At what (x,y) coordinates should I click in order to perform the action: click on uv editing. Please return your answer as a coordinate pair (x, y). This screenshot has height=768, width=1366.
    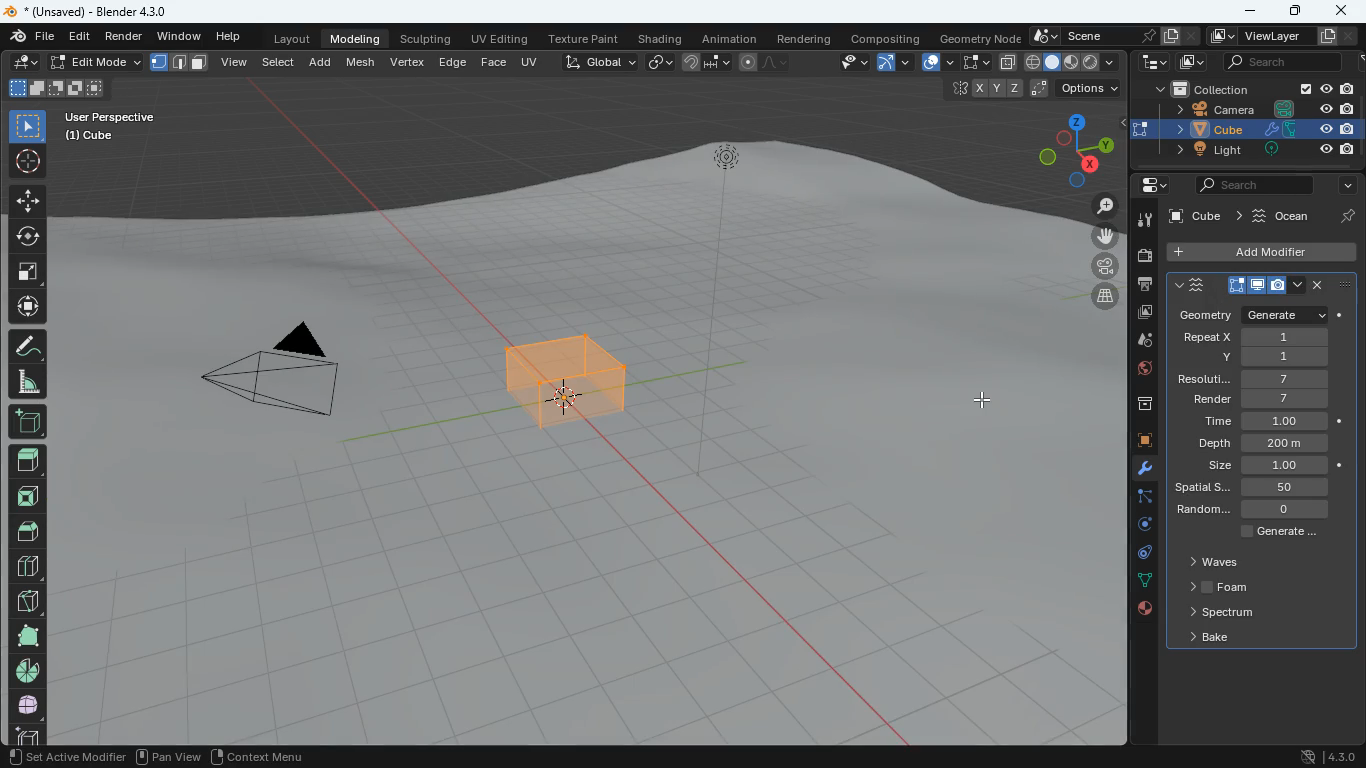
    Looking at the image, I should click on (500, 38).